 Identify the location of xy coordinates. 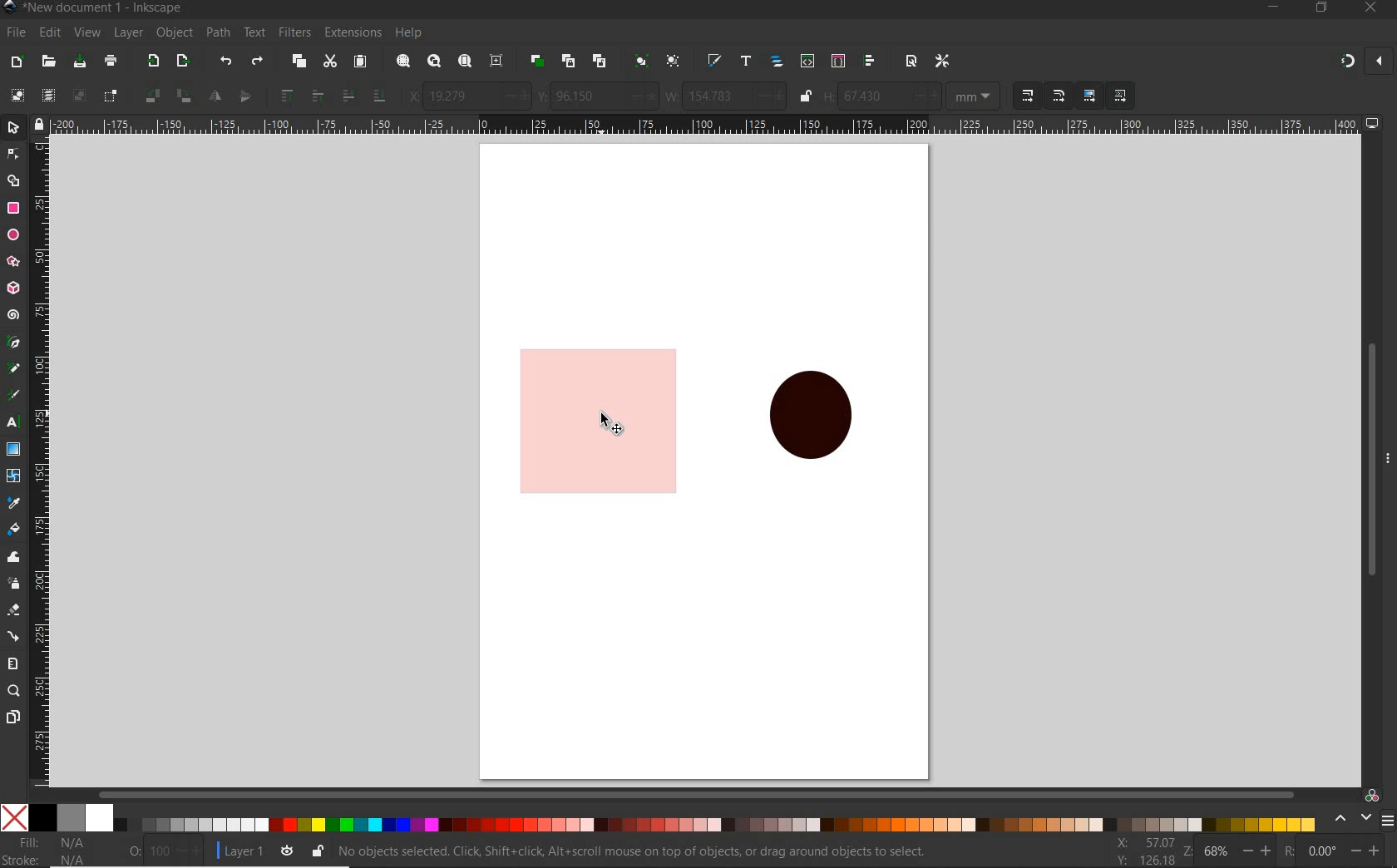
(1150, 852).